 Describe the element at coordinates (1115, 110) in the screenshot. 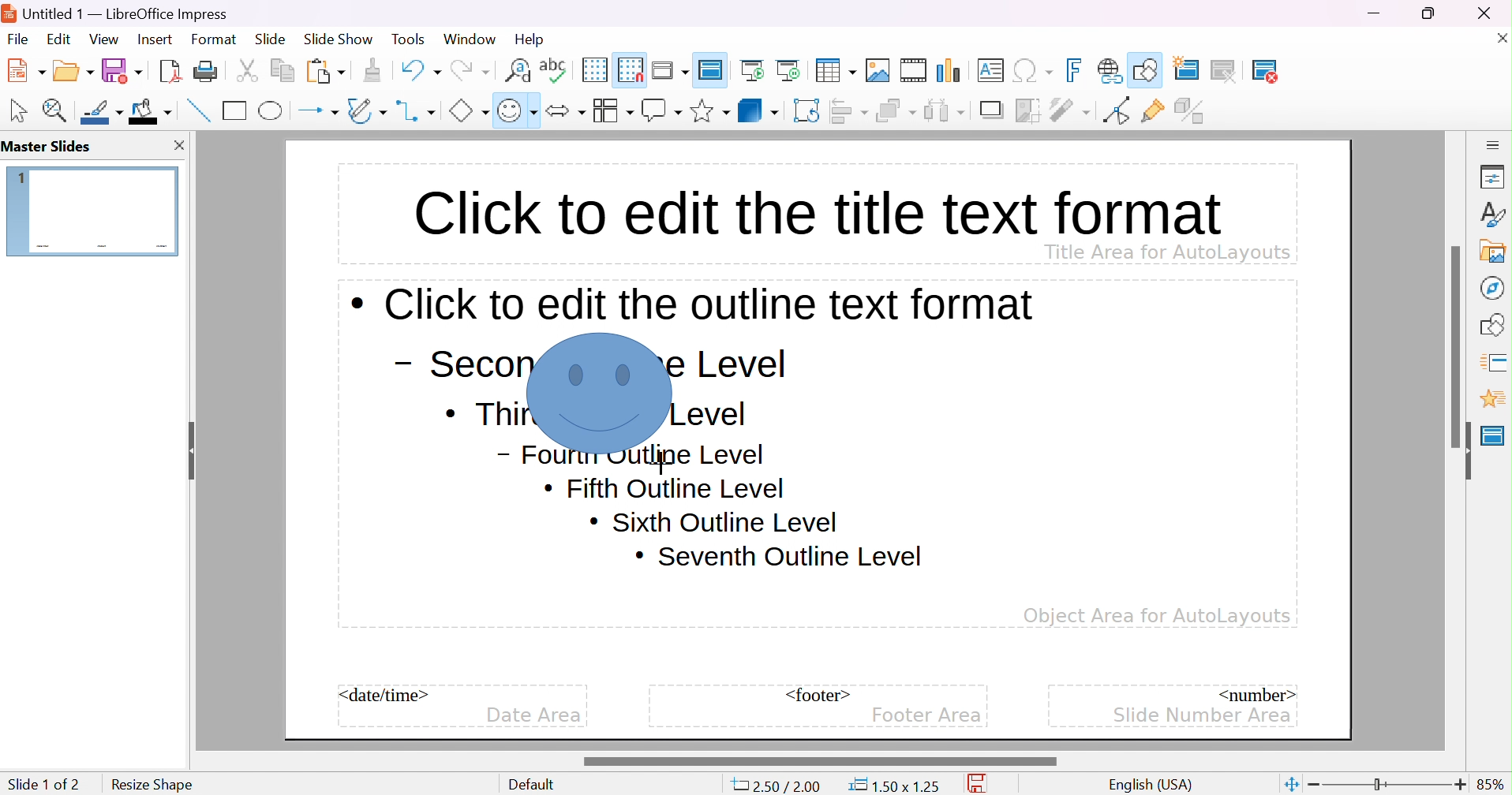

I see `toggle point edit mode` at that location.